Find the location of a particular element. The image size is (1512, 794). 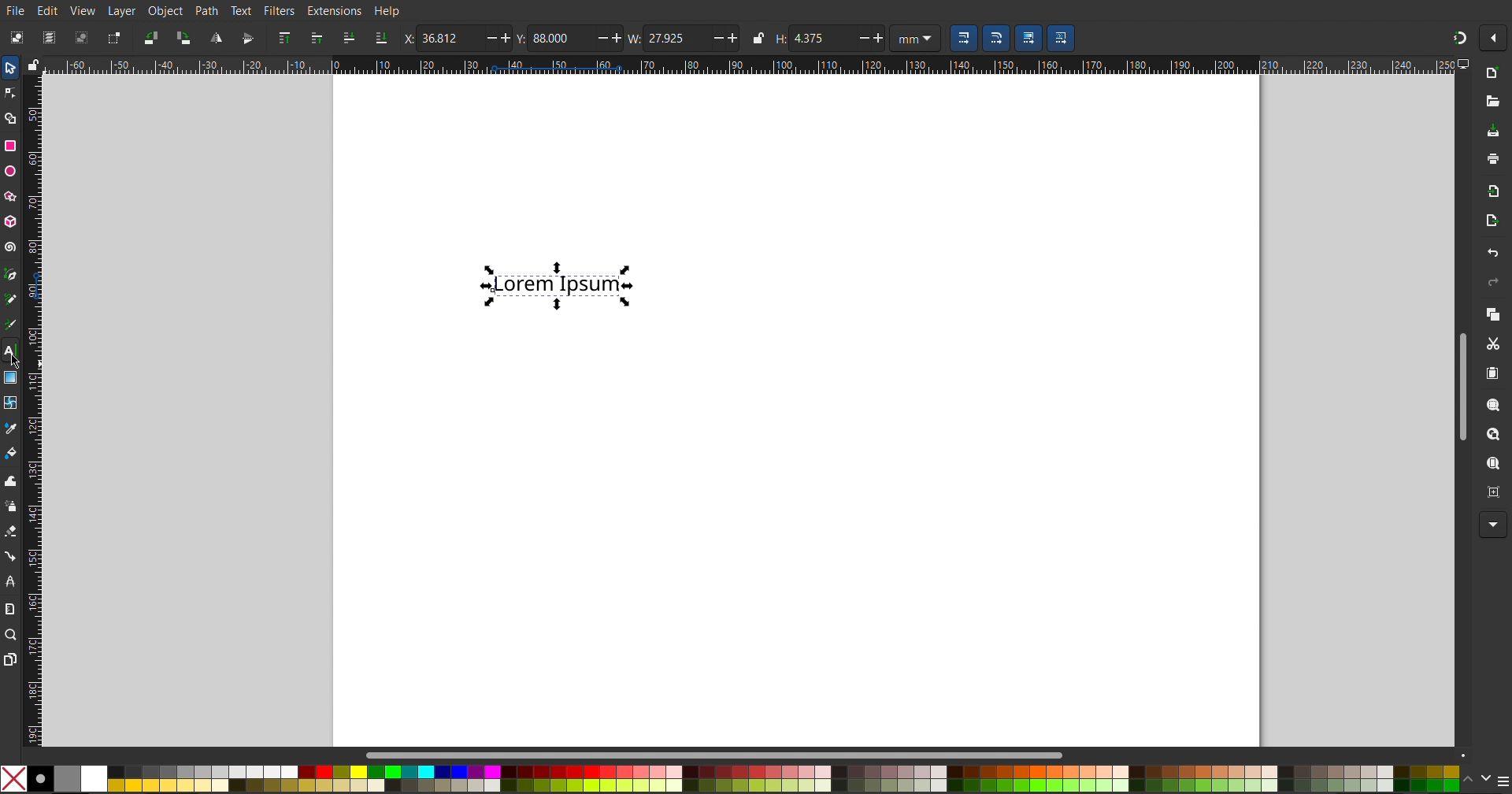

Redo is located at coordinates (1490, 282).